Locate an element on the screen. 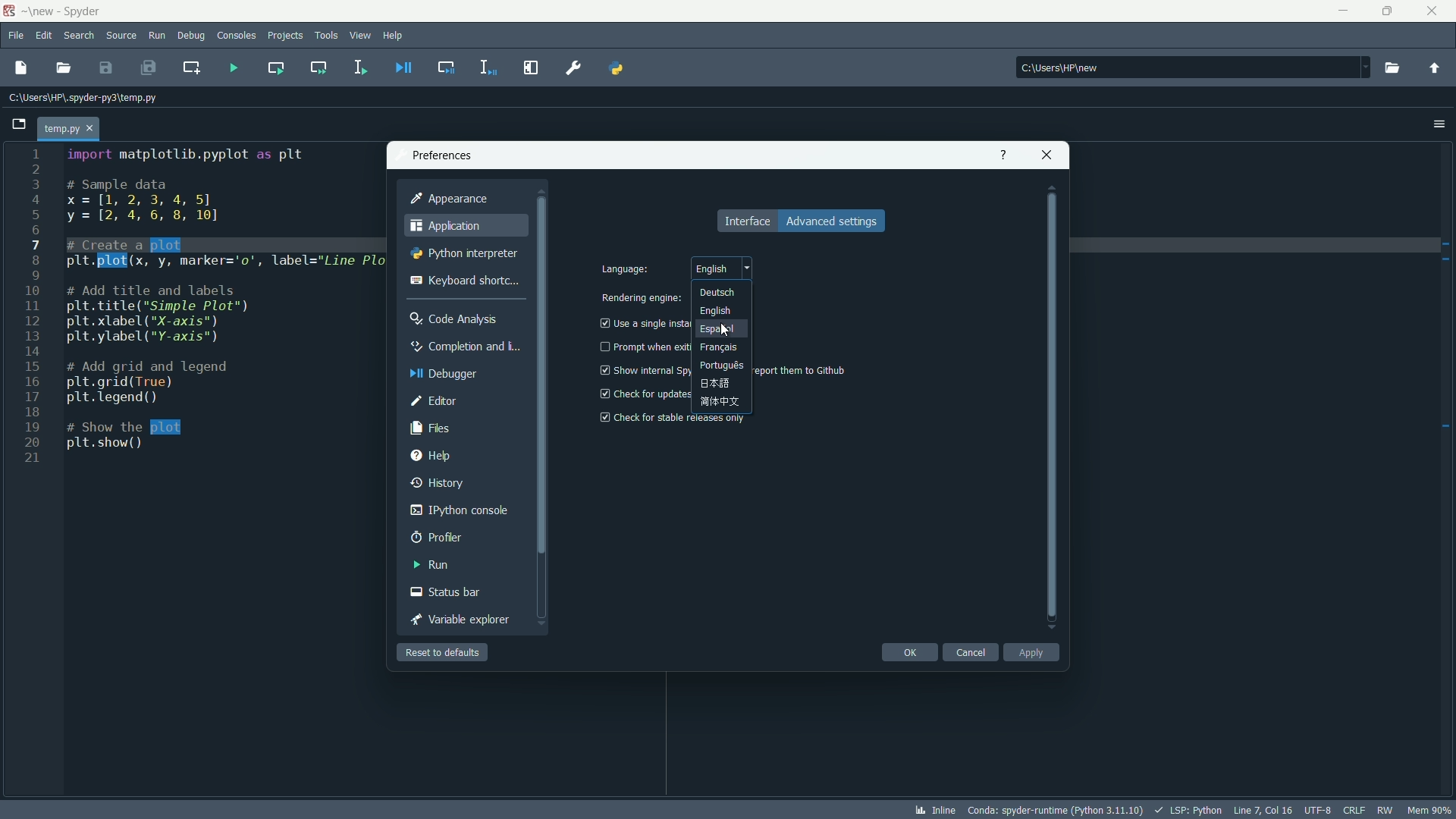  profiler is located at coordinates (438, 537).